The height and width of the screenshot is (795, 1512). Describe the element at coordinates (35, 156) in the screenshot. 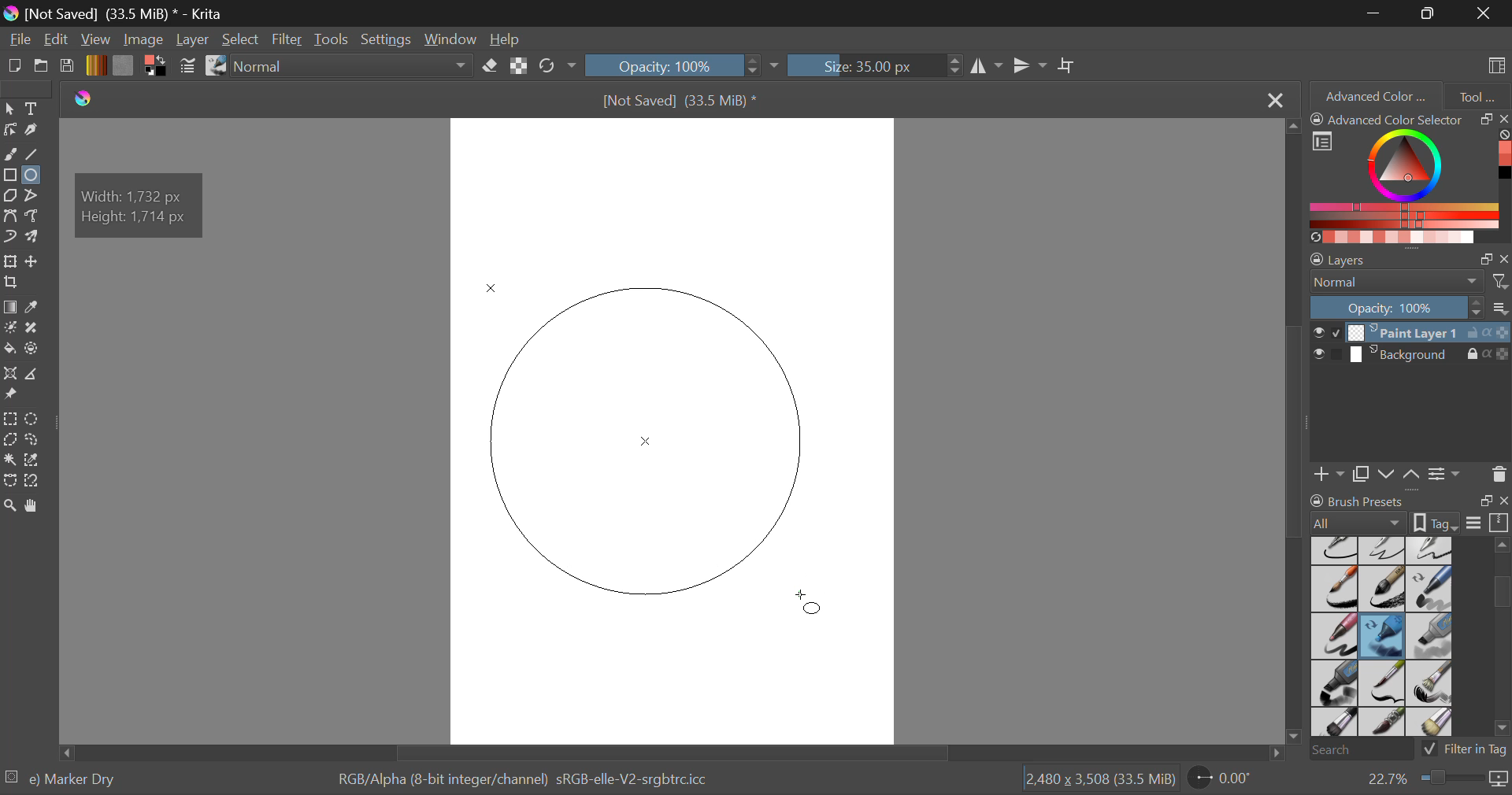

I see `Line` at that location.